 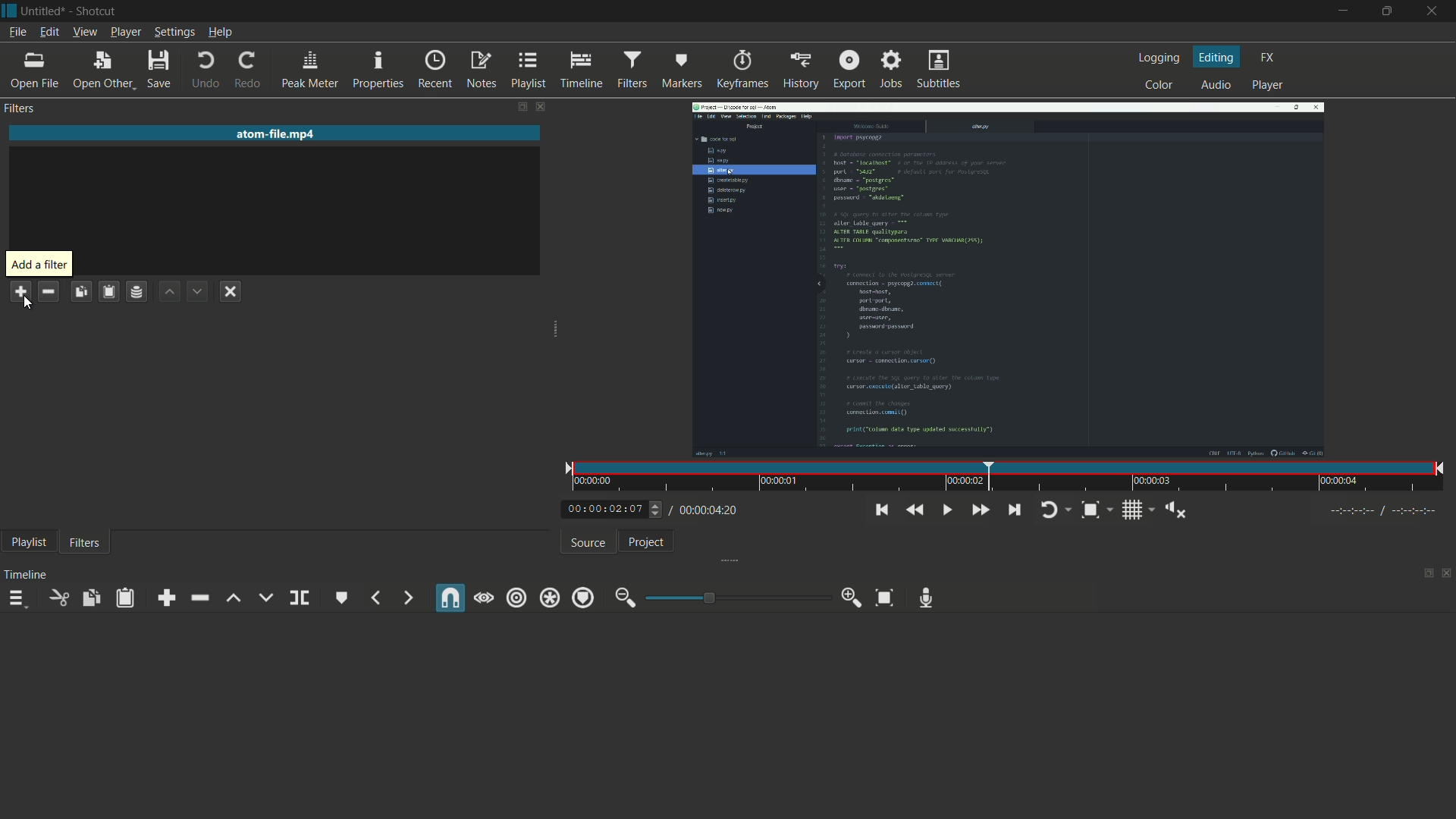 What do you see at coordinates (90, 598) in the screenshot?
I see `copy checked filters` at bounding box center [90, 598].